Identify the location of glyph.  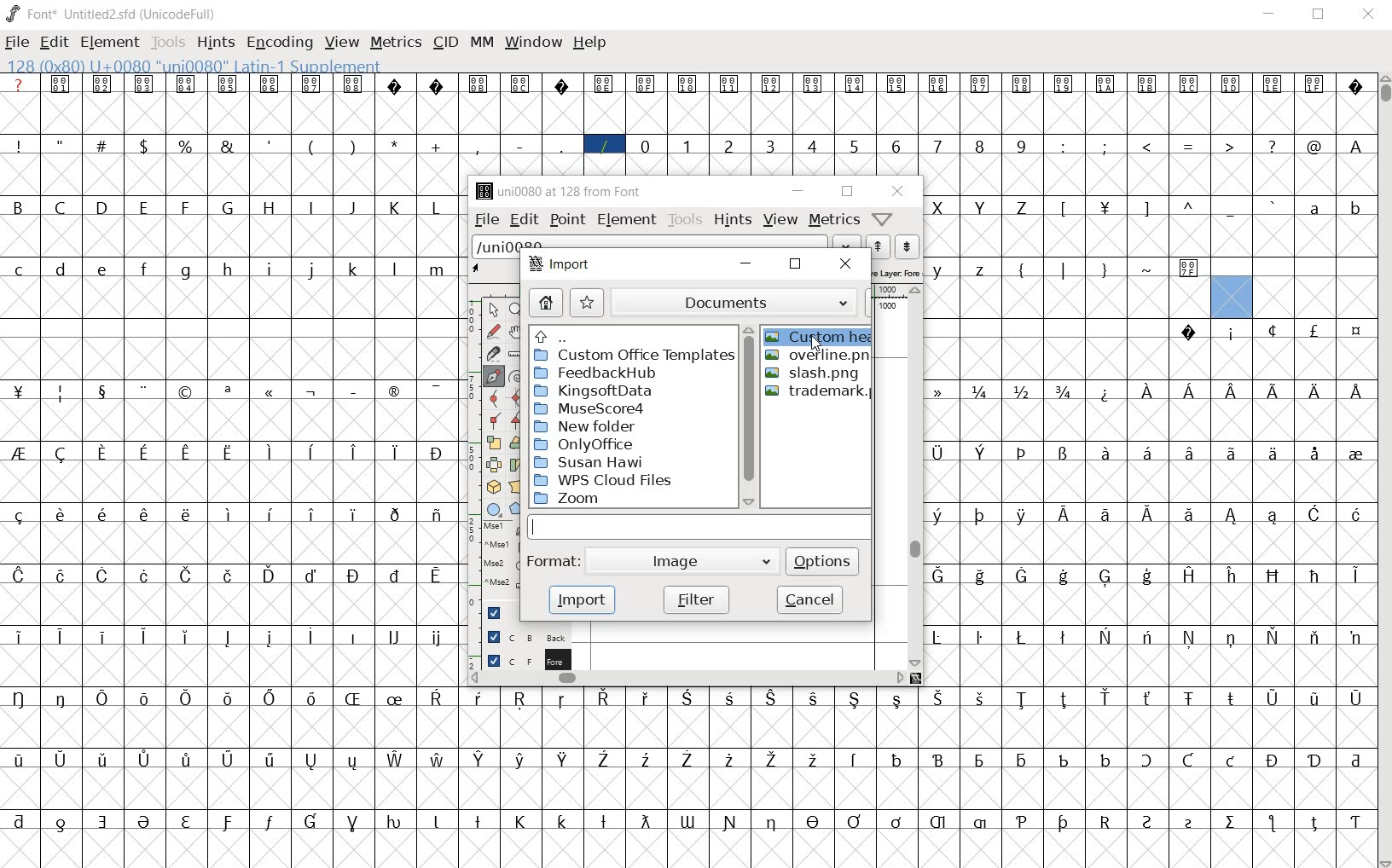
(729, 147).